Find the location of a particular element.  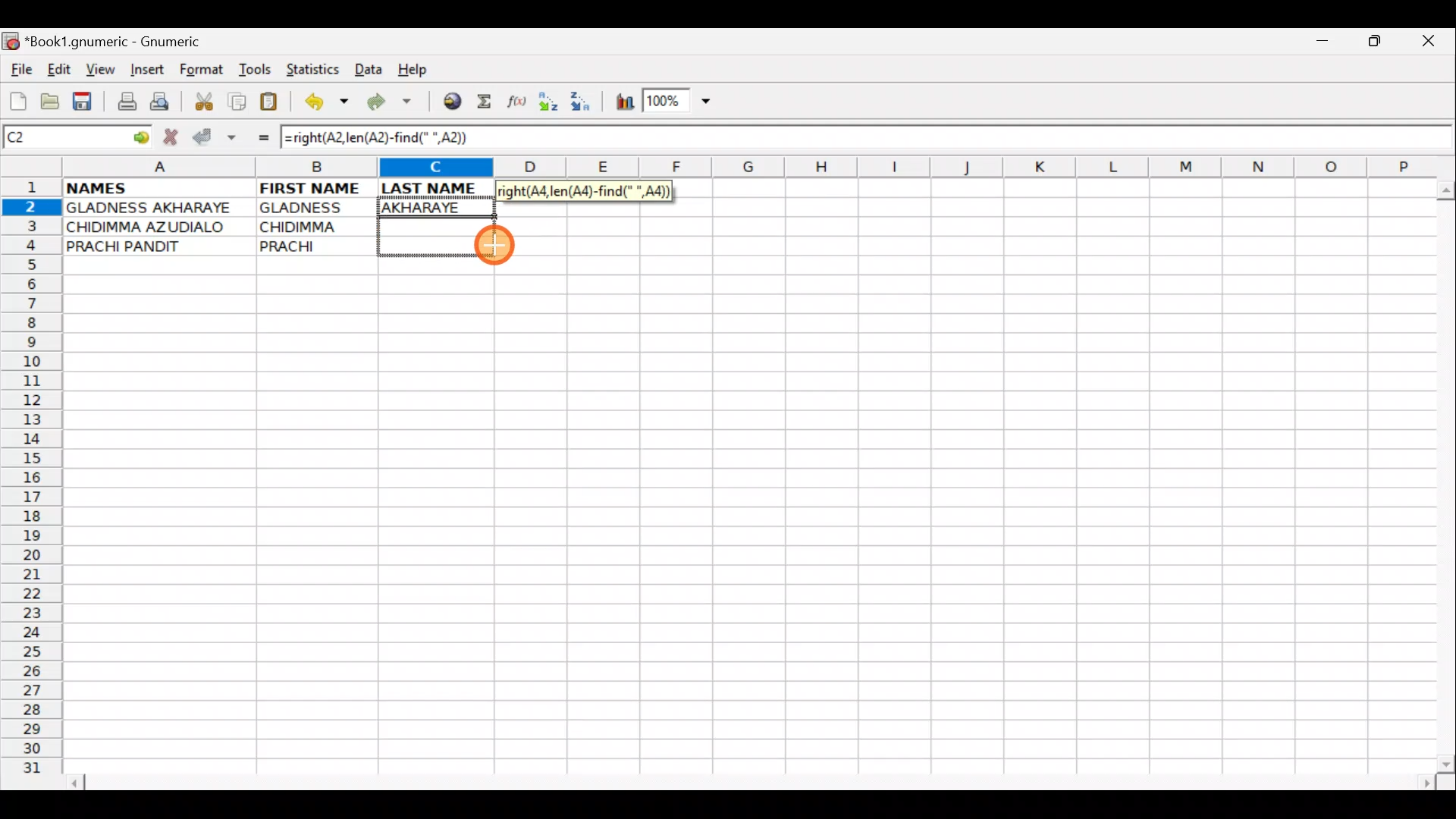

Maximize is located at coordinates (1377, 44).